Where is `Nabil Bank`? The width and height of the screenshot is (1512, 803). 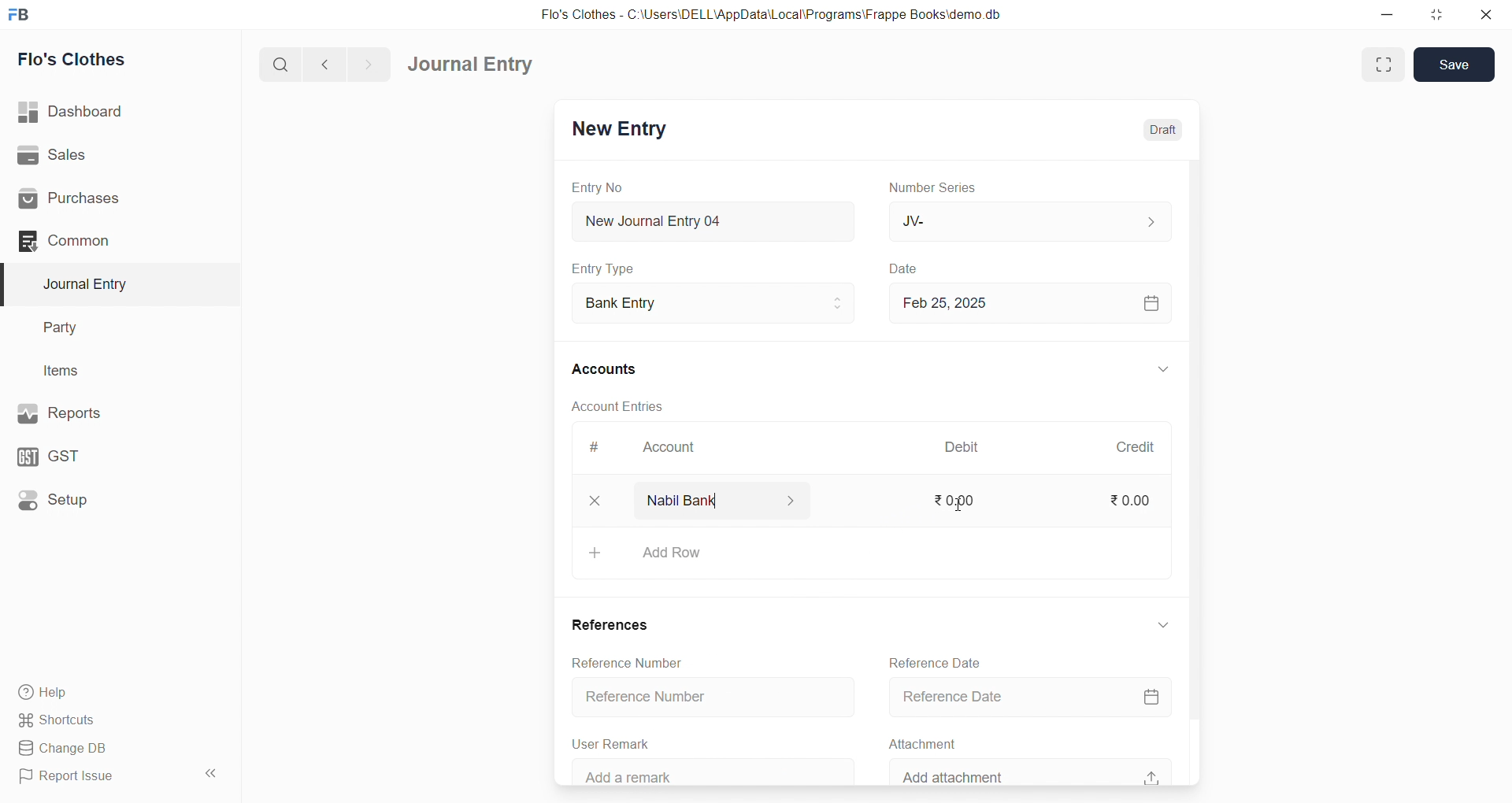 Nabil Bank is located at coordinates (713, 500).